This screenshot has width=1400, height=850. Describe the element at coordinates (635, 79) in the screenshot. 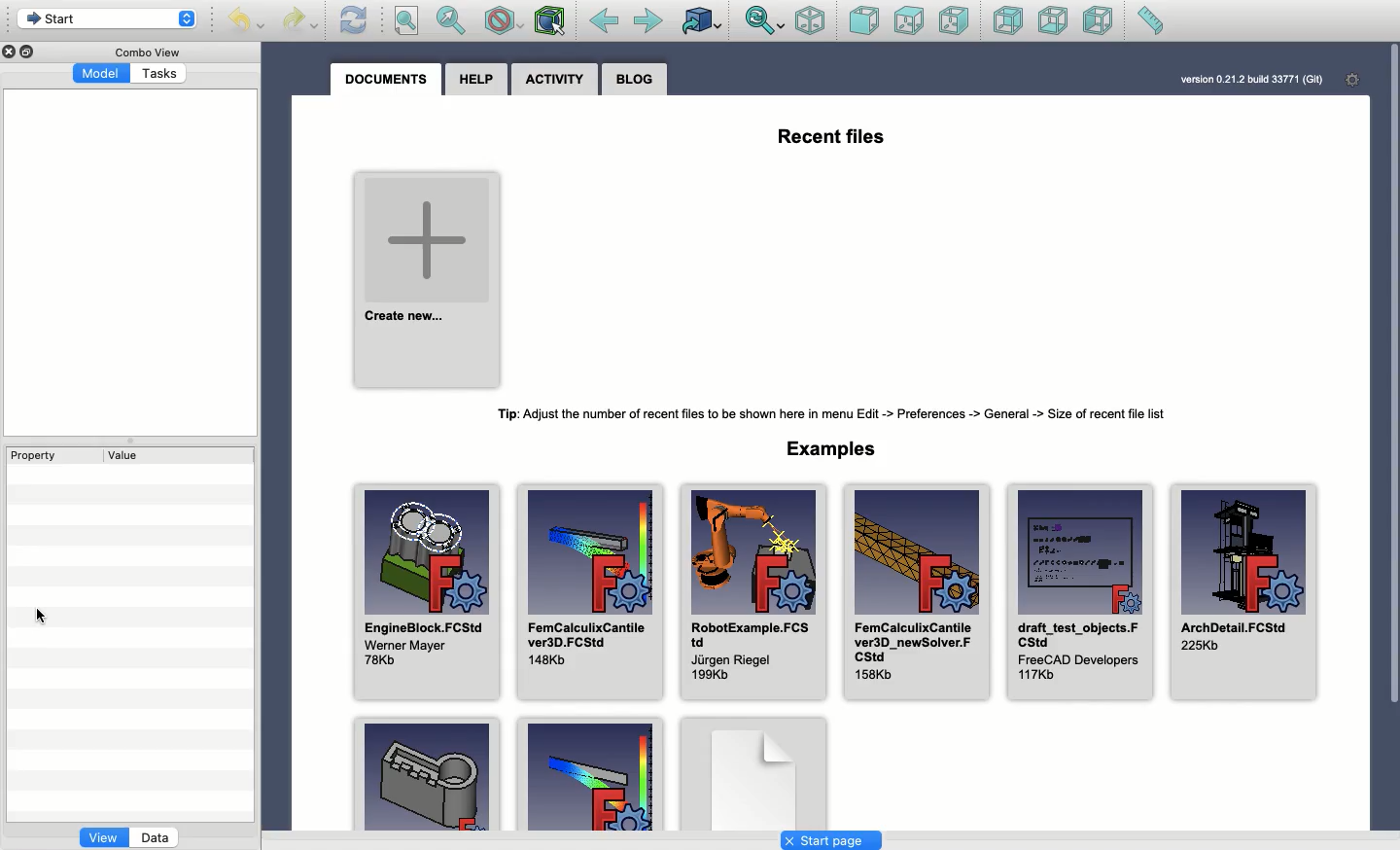

I see `Blog` at that location.